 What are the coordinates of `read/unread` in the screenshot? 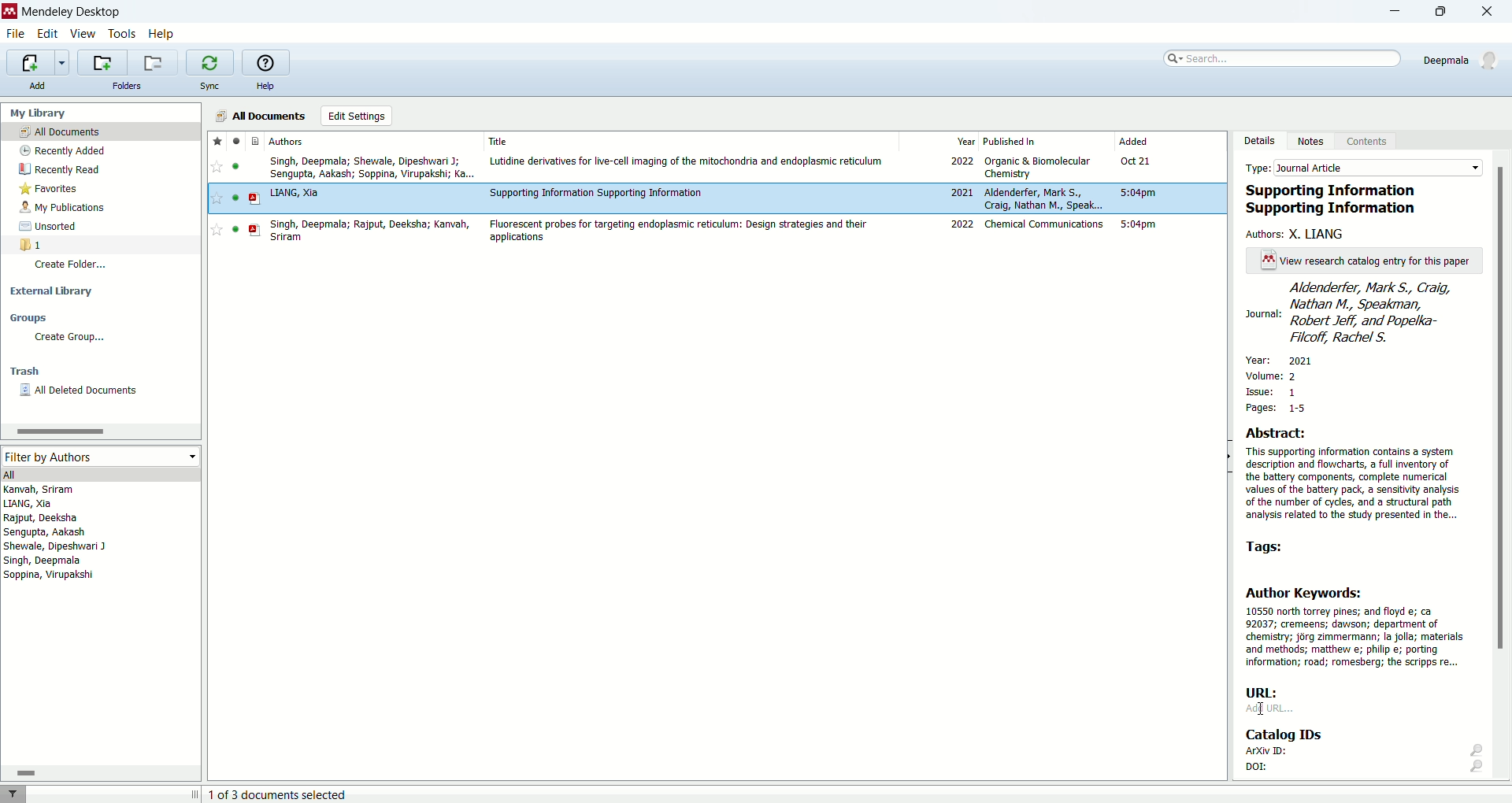 It's located at (238, 140).